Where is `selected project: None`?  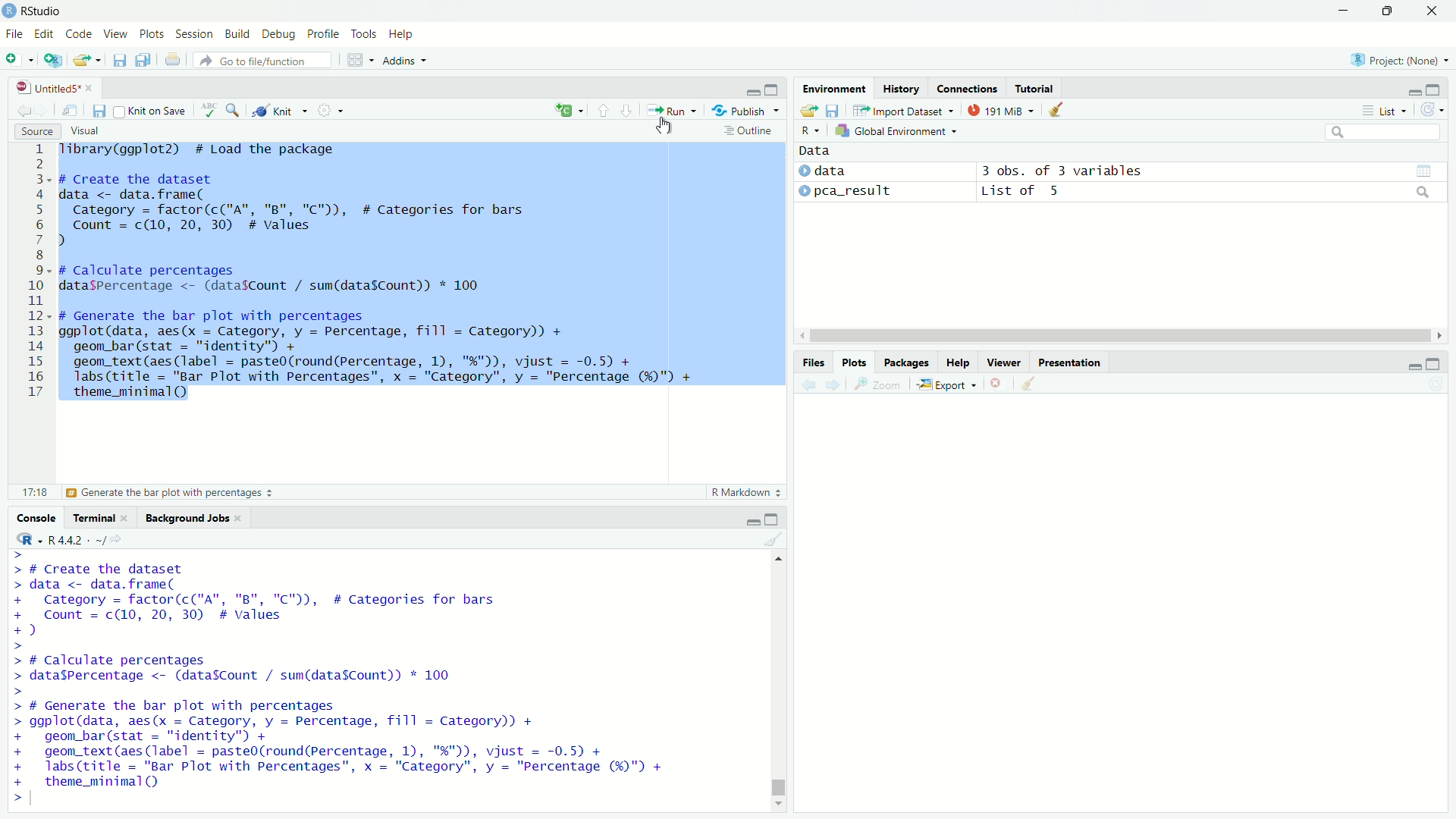
selected project: None is located at coordinates (1401, 60).